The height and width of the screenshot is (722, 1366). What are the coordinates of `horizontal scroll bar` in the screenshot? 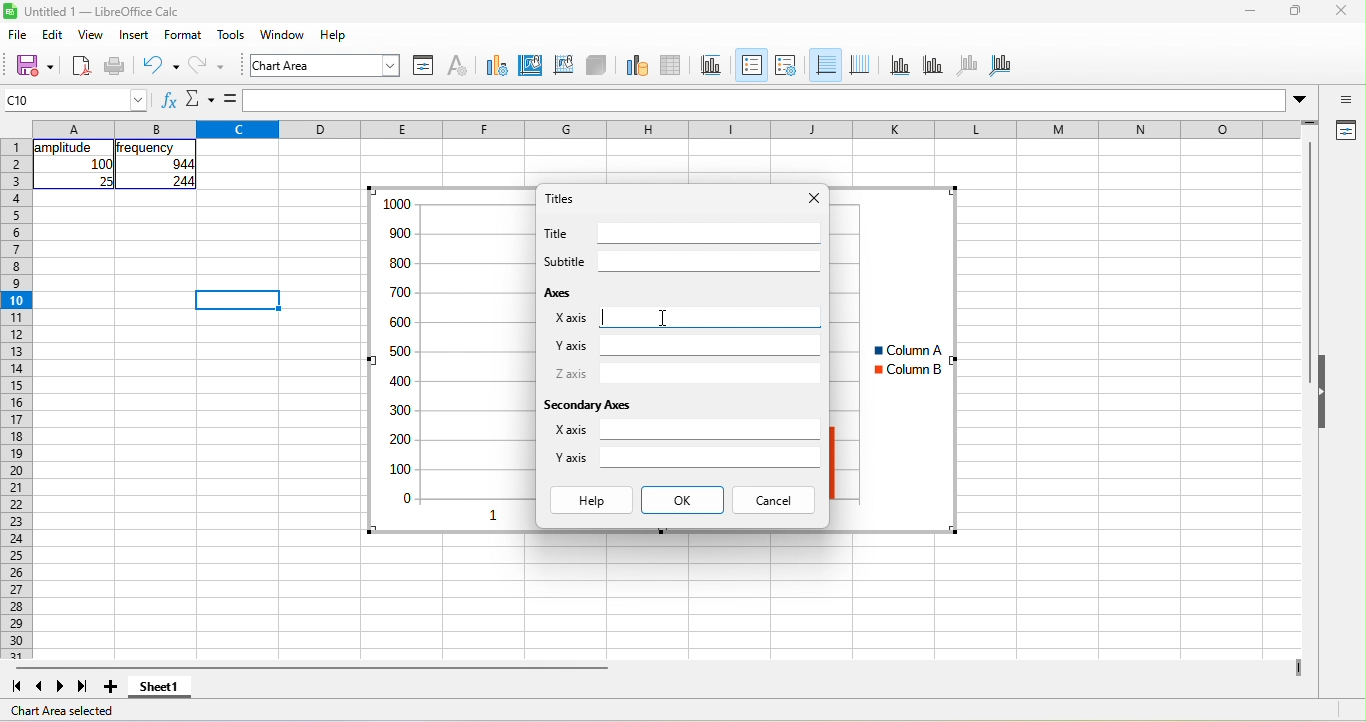 It's located at (312, 668).